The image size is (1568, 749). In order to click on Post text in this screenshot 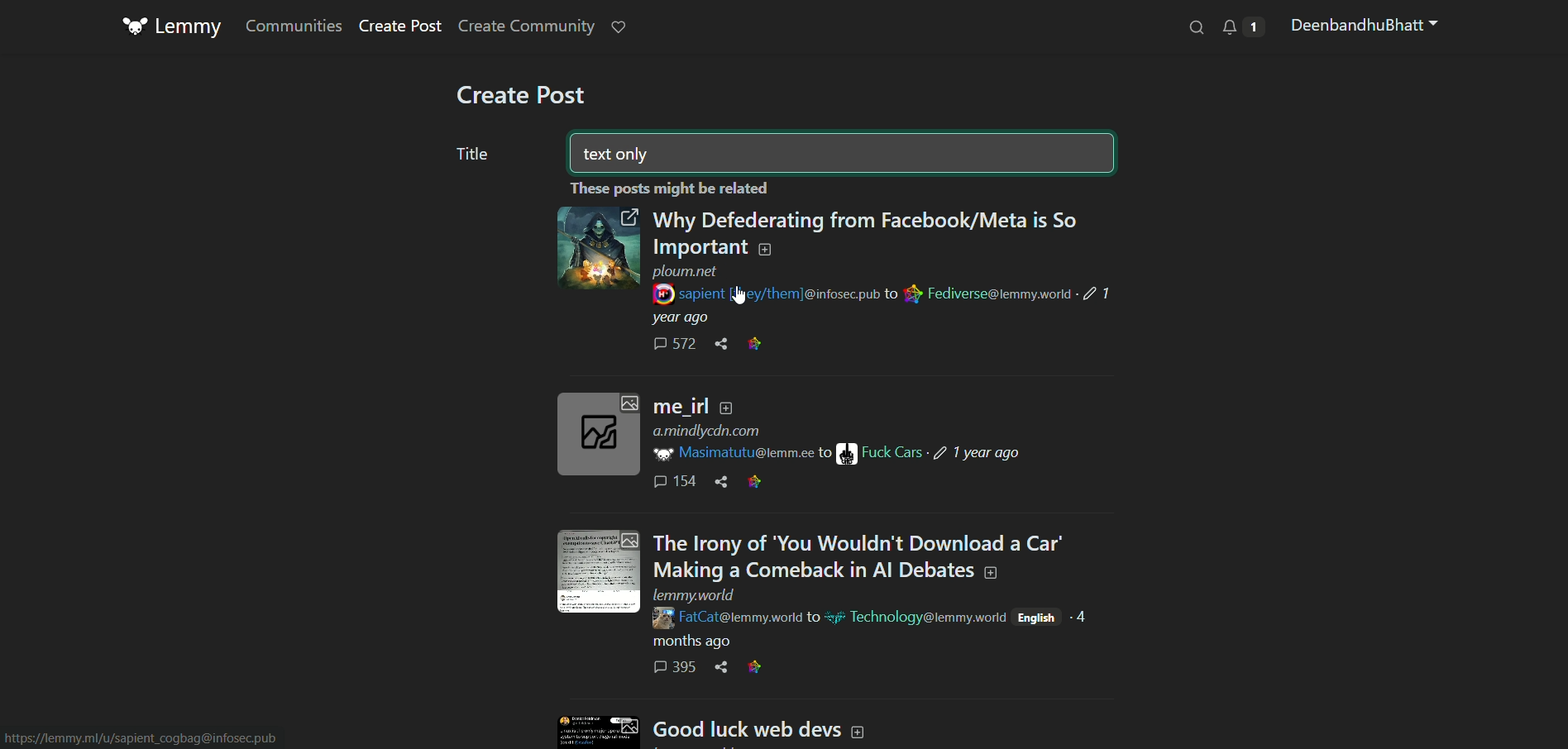, I will do `click(858, 543)`.